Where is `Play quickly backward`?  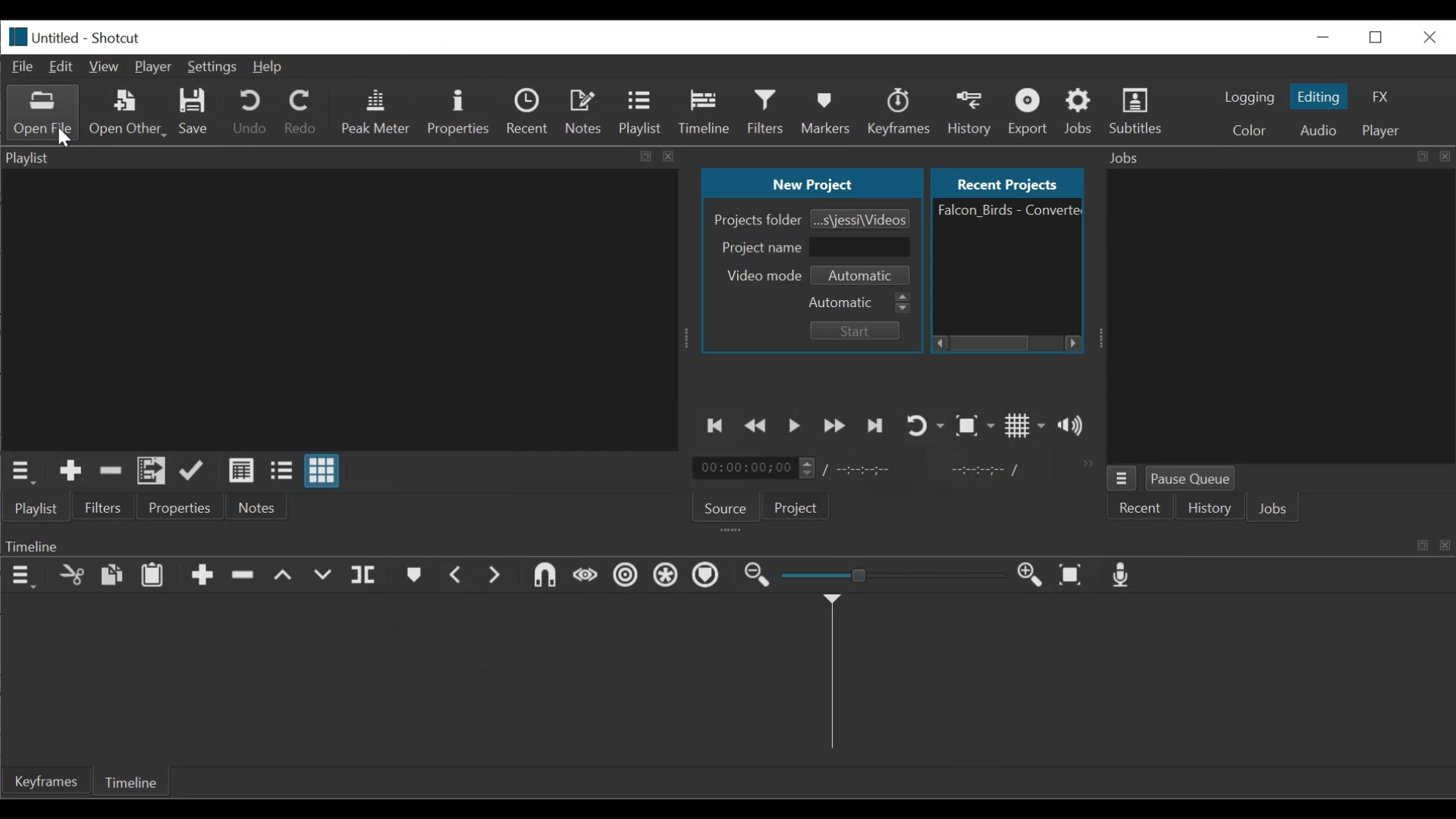 Play quickly backward is located at coordinates (758, 427).